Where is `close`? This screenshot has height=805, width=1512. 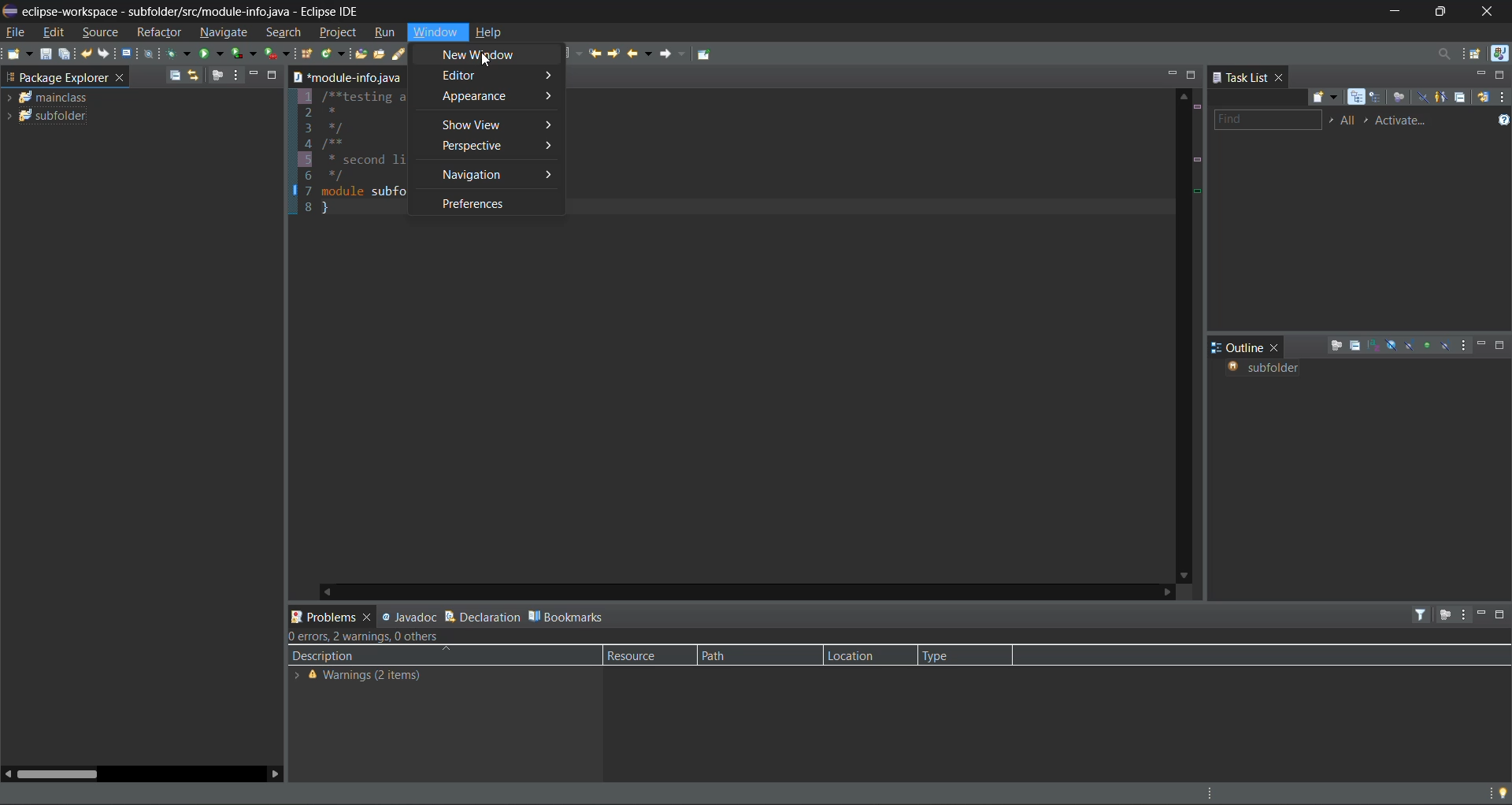
close is located at coordinates (118, 80).